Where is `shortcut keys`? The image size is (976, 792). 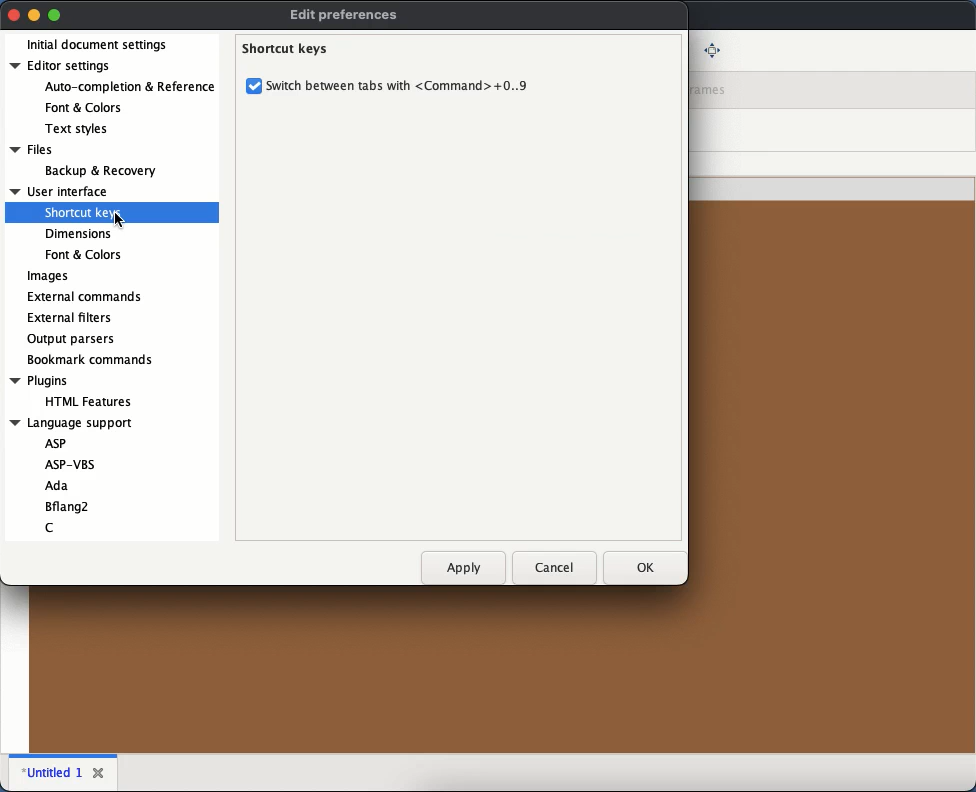 shortcut keys is located at coordinates (288, 48).